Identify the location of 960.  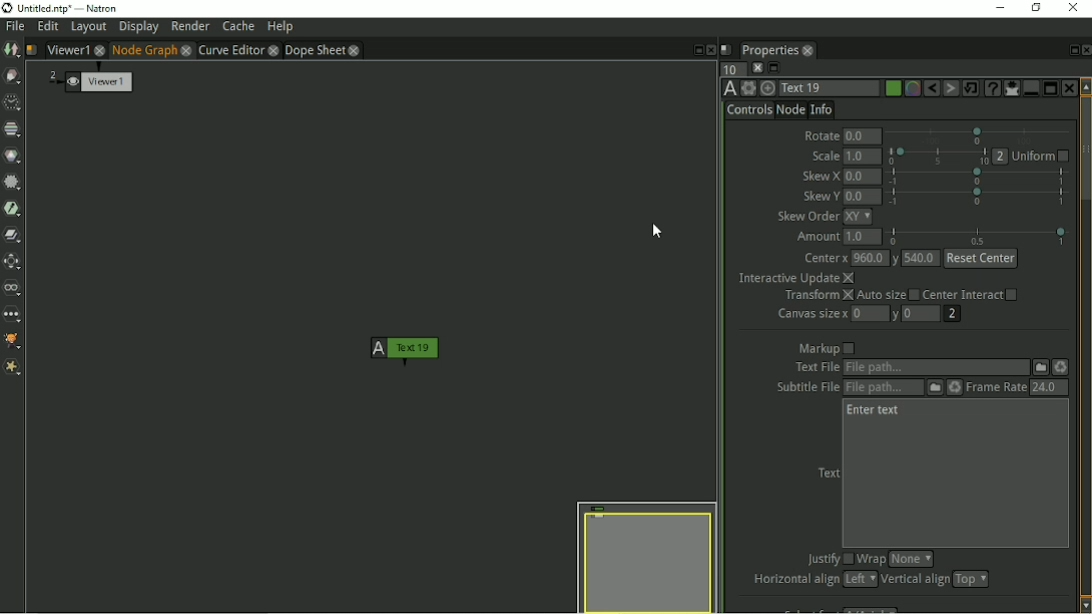
(871, 258).